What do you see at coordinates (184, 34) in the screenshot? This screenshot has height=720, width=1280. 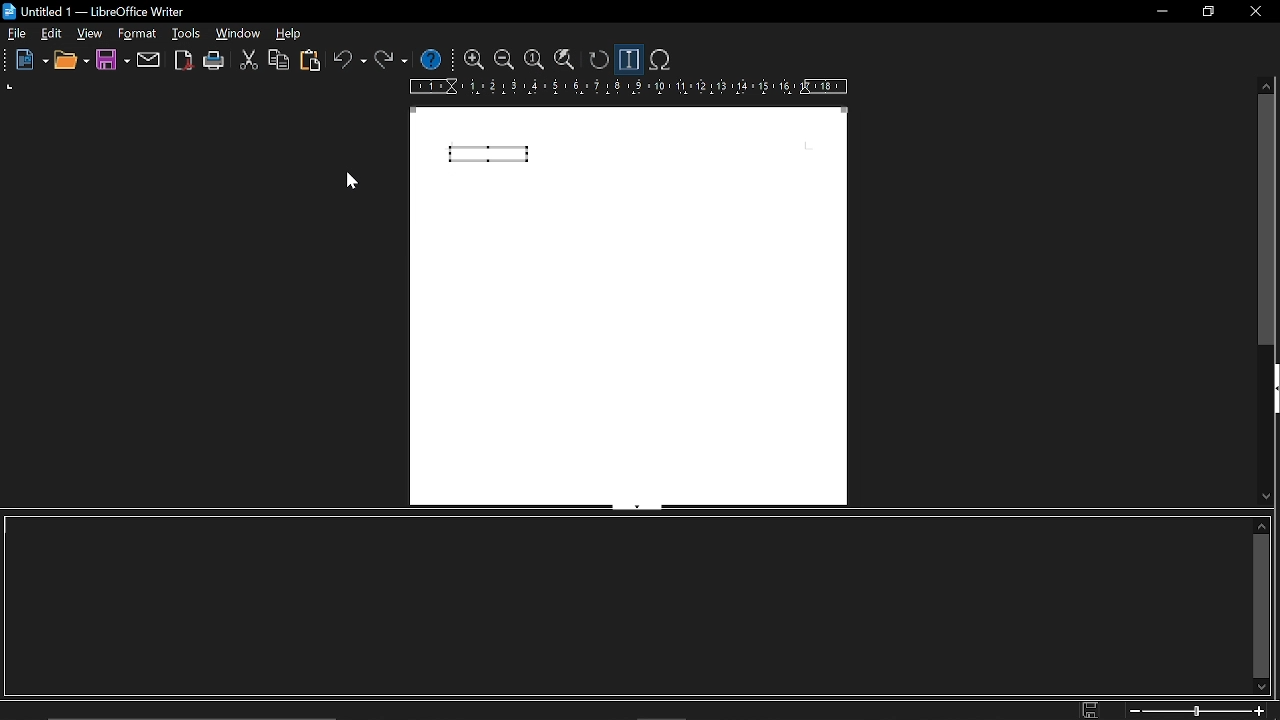 I see `format` at bounding box center [184, 34].